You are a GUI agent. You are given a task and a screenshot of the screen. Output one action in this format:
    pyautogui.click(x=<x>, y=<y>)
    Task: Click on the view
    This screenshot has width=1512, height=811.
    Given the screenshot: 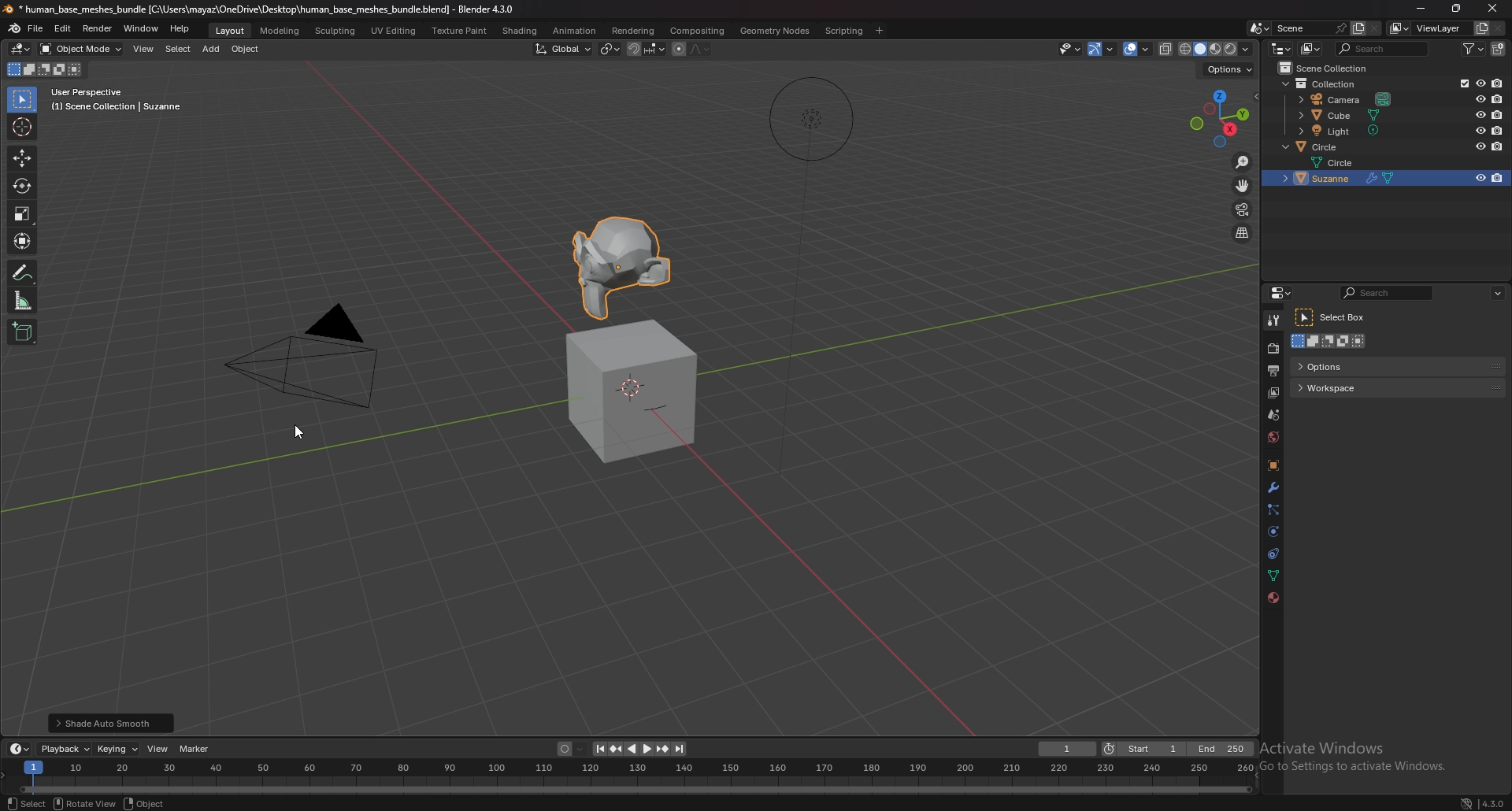 What is the action you would take?
    pyautogui.click(x=146, y=48)
    